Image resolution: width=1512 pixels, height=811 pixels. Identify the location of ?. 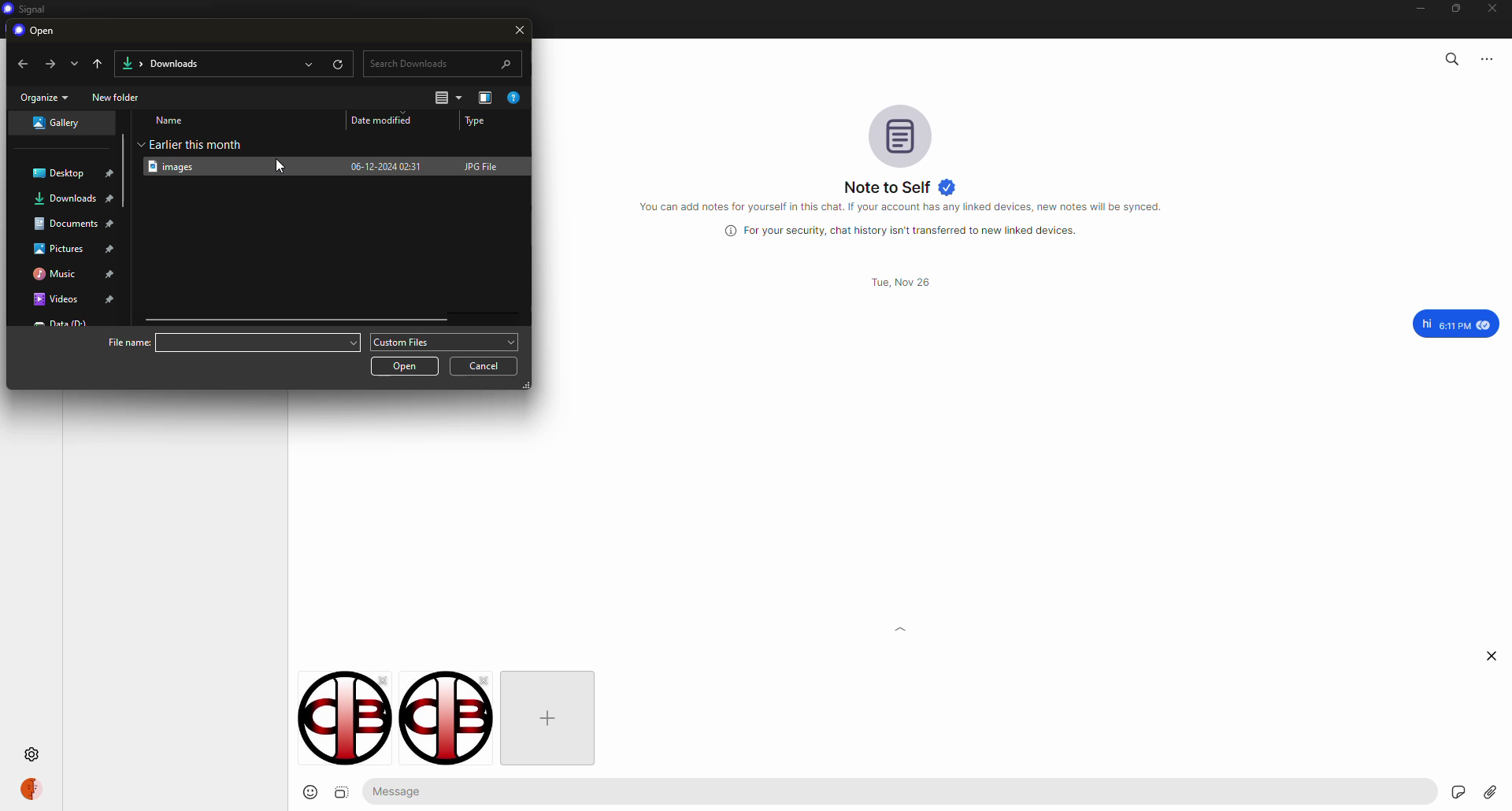
(517, 98).